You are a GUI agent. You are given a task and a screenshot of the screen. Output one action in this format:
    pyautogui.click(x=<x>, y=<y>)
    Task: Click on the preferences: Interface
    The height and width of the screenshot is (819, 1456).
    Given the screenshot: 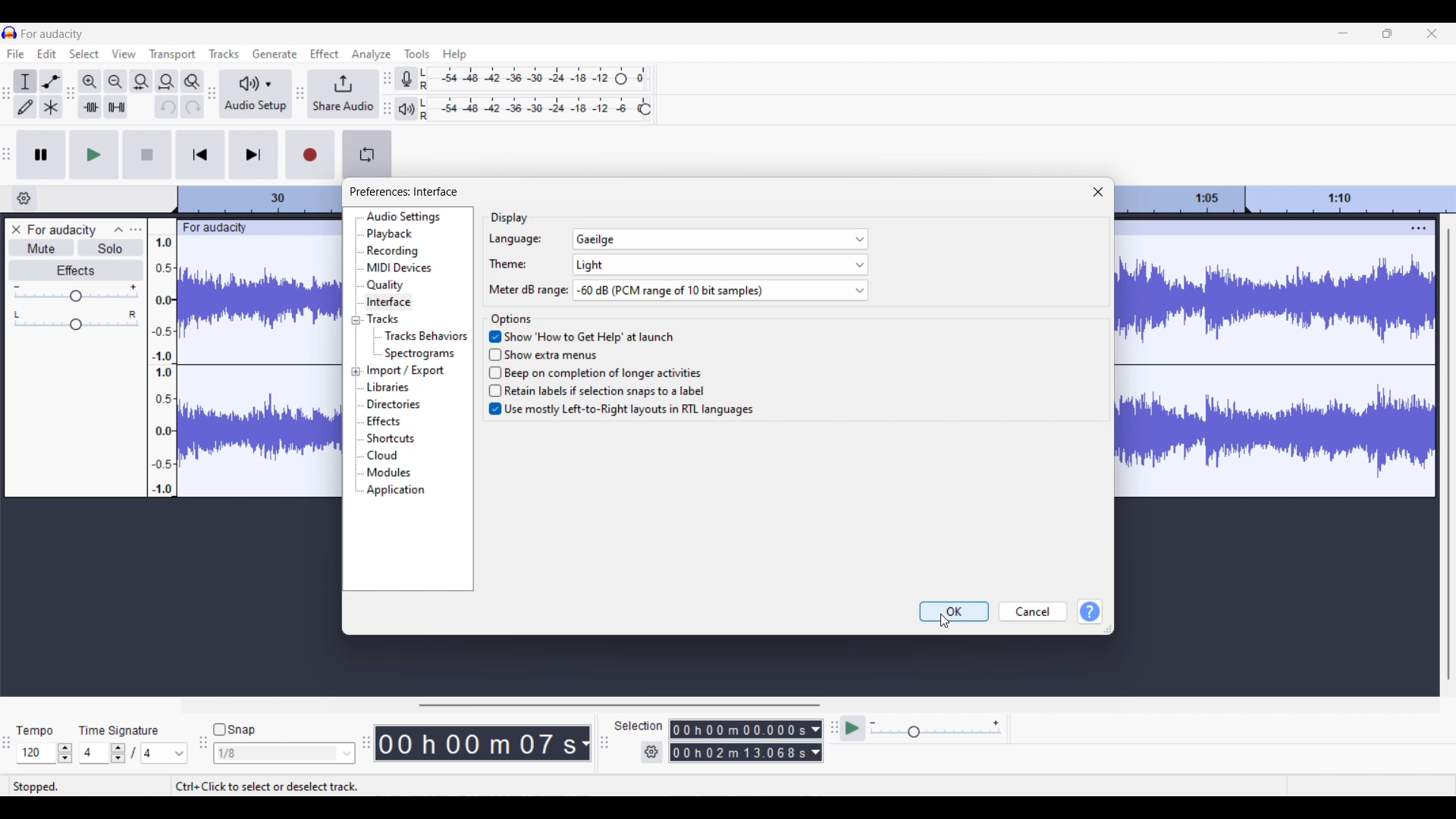 What is the action you would take?
    pyautogui.click(x=404, y=192)
    